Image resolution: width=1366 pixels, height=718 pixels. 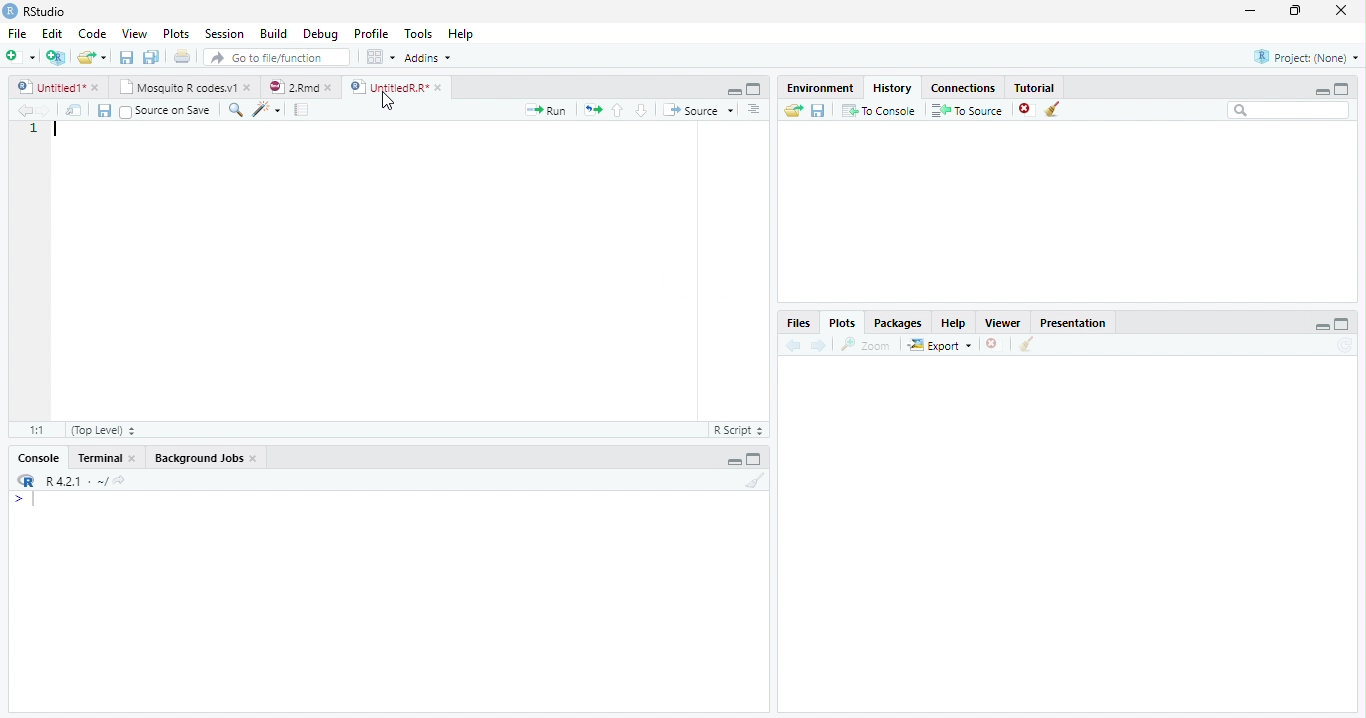 I want to click on Maximize, so click(x=1342, y=89).